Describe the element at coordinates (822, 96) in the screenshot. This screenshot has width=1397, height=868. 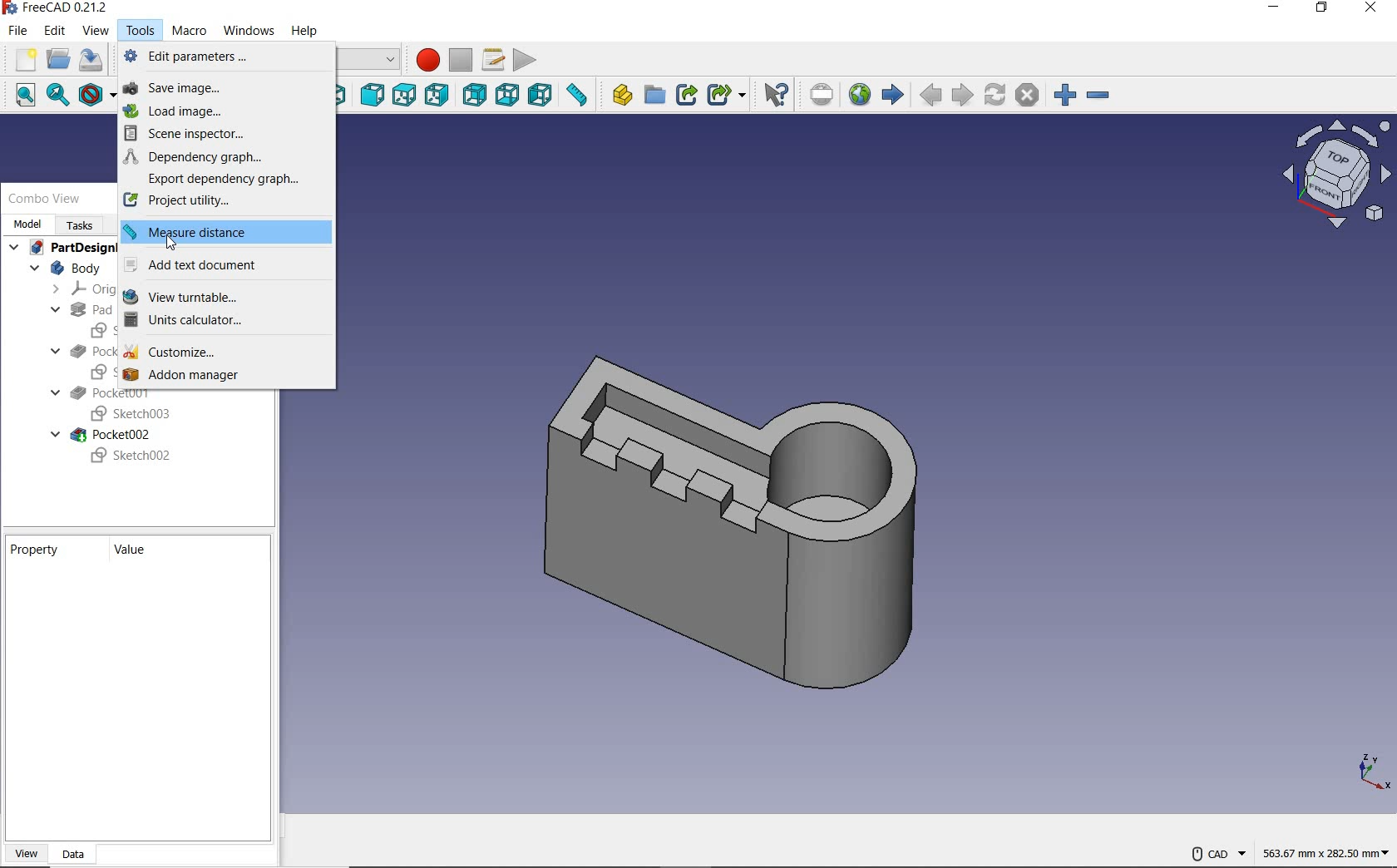
I see `set URL` at that location.